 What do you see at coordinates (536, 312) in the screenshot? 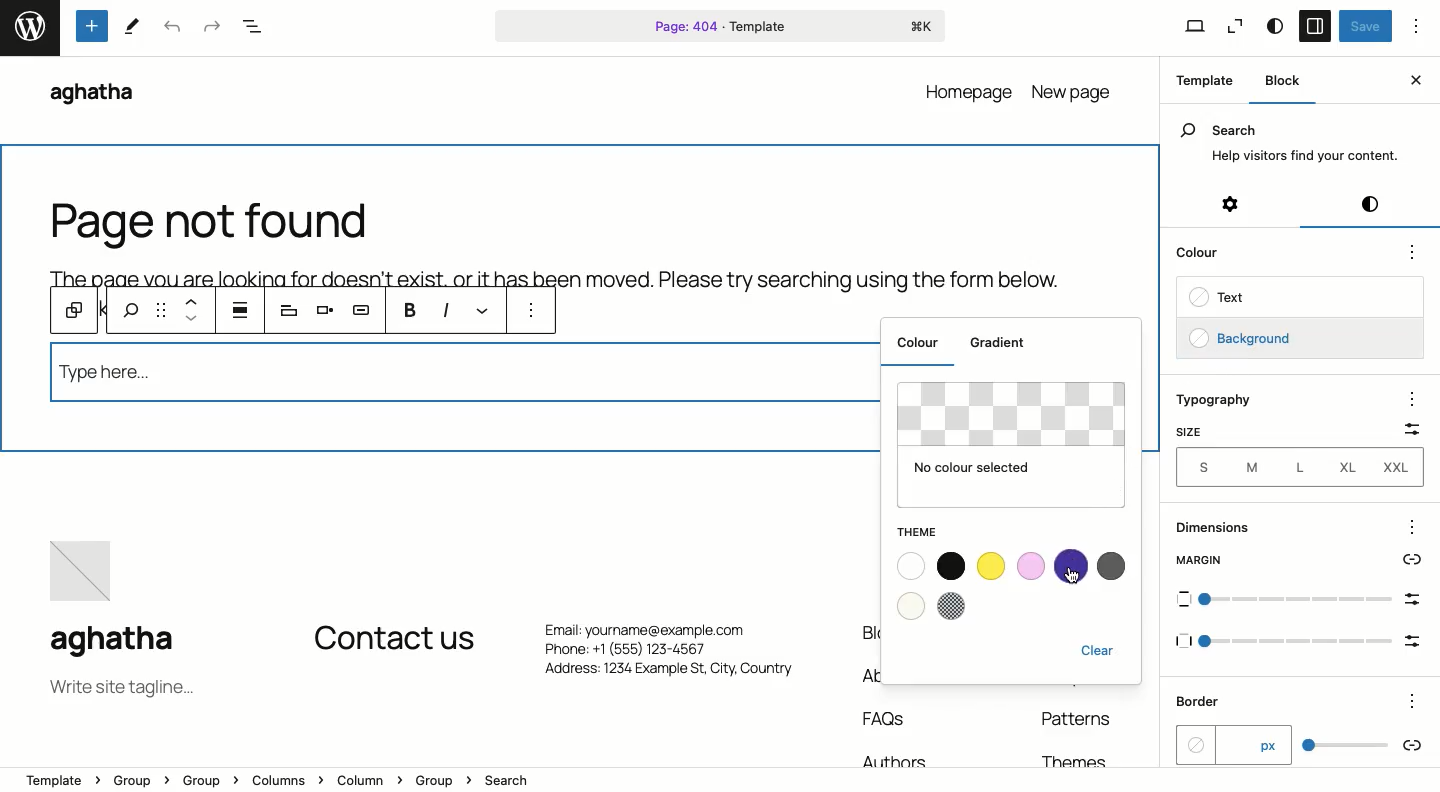
I see `More` at bounding box center [536, 312].